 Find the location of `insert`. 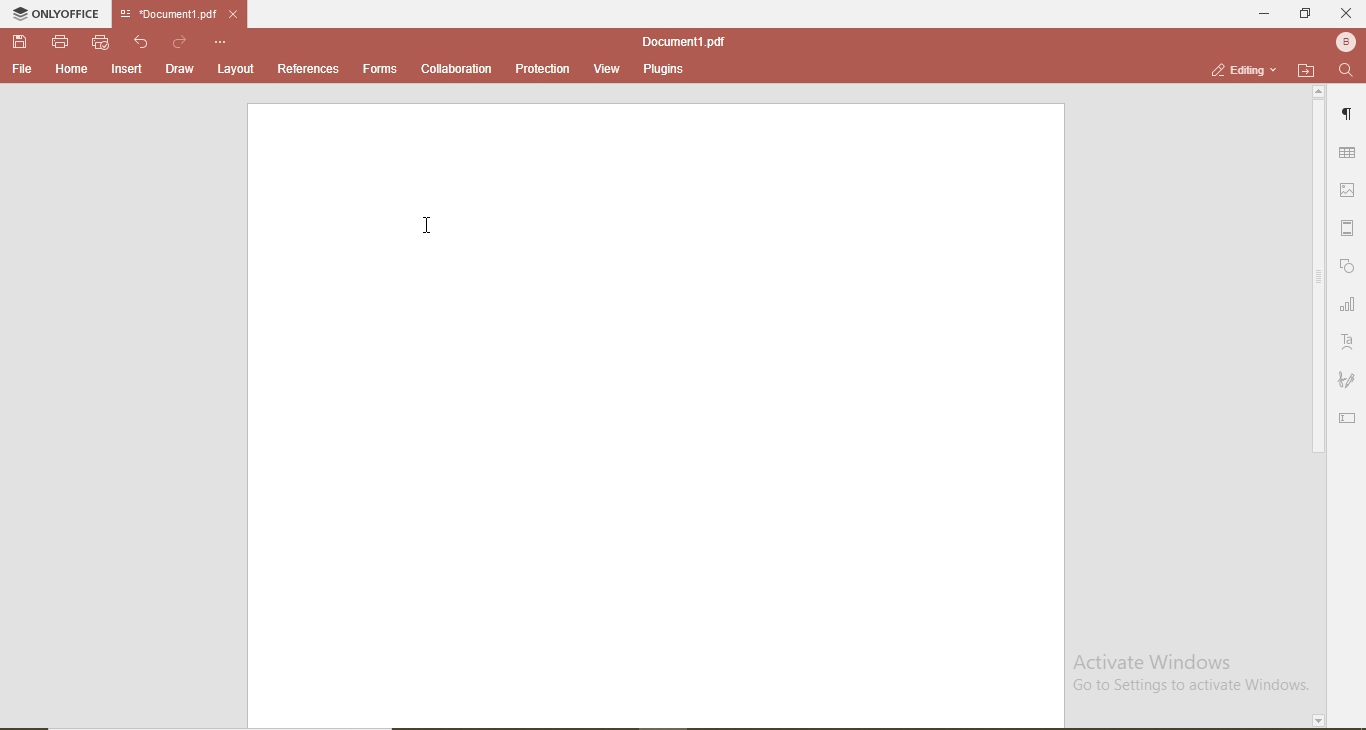

insert is located at coordinates (127, 71).